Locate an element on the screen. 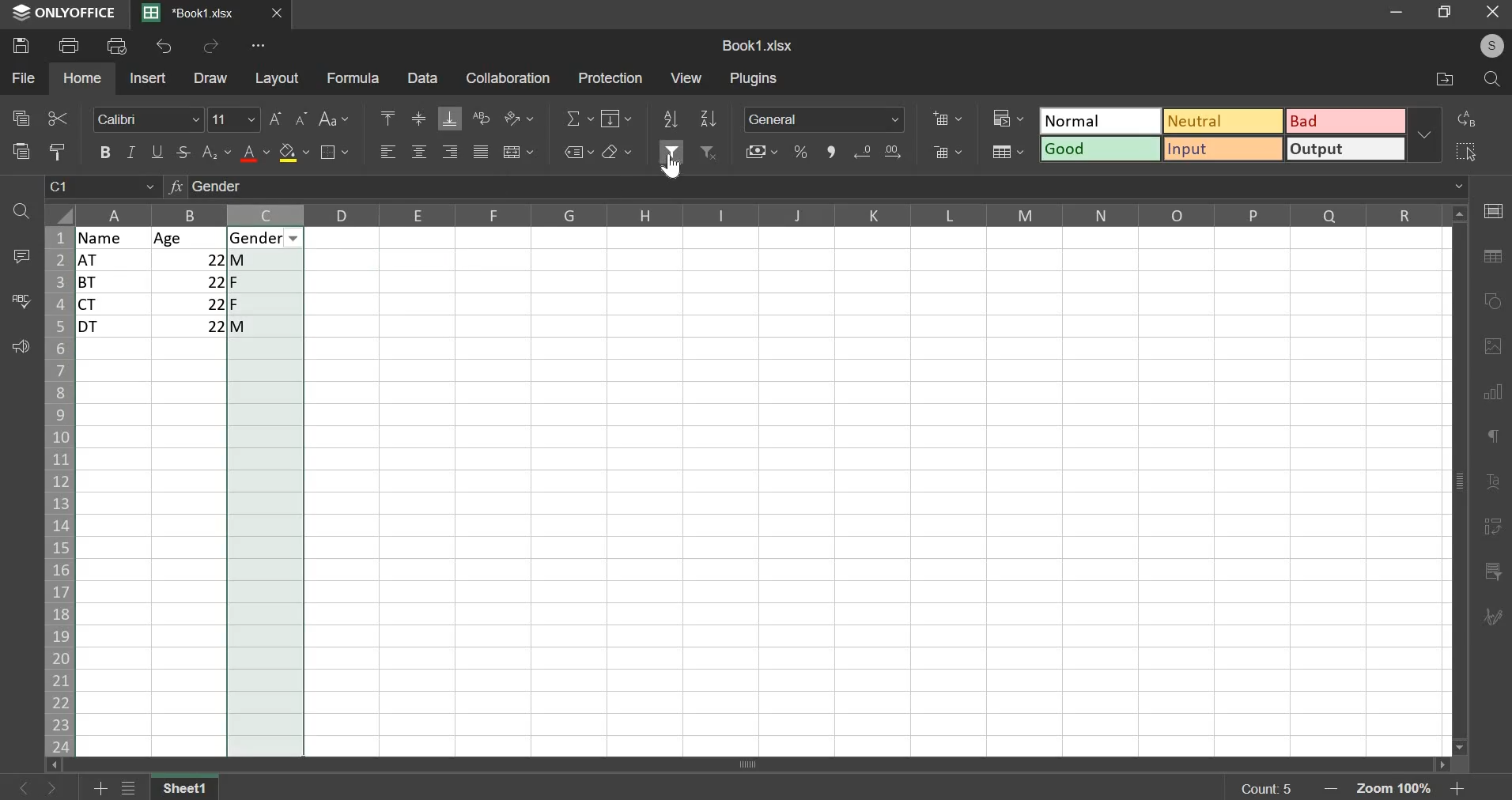  gender is located at coordinates (262, 238).